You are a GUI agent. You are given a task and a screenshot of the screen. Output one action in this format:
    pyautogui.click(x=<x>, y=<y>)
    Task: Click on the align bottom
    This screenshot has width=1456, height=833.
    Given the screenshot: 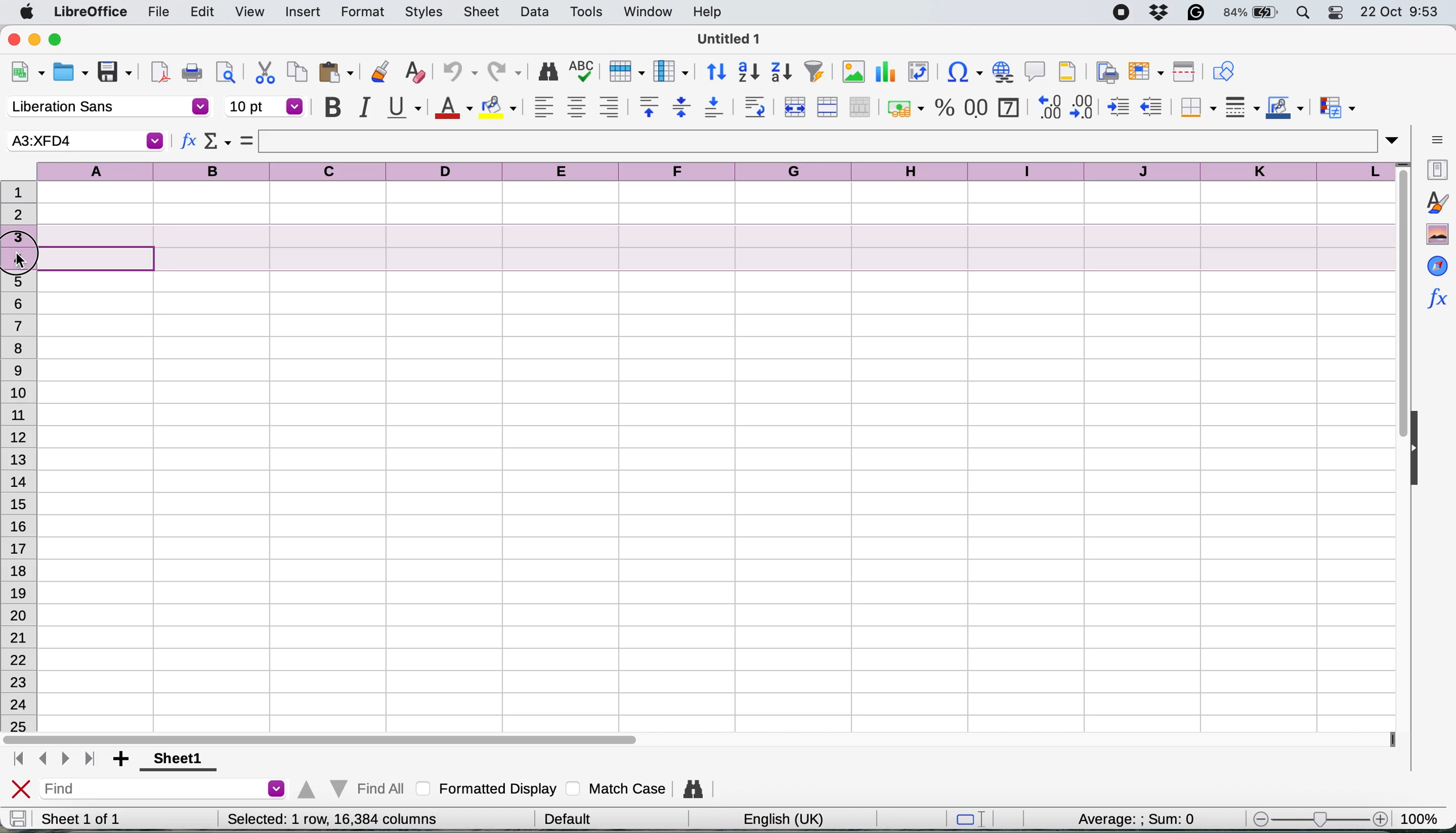 What is the action you would take?
    pyautogui.click(x=715, y=107)
    